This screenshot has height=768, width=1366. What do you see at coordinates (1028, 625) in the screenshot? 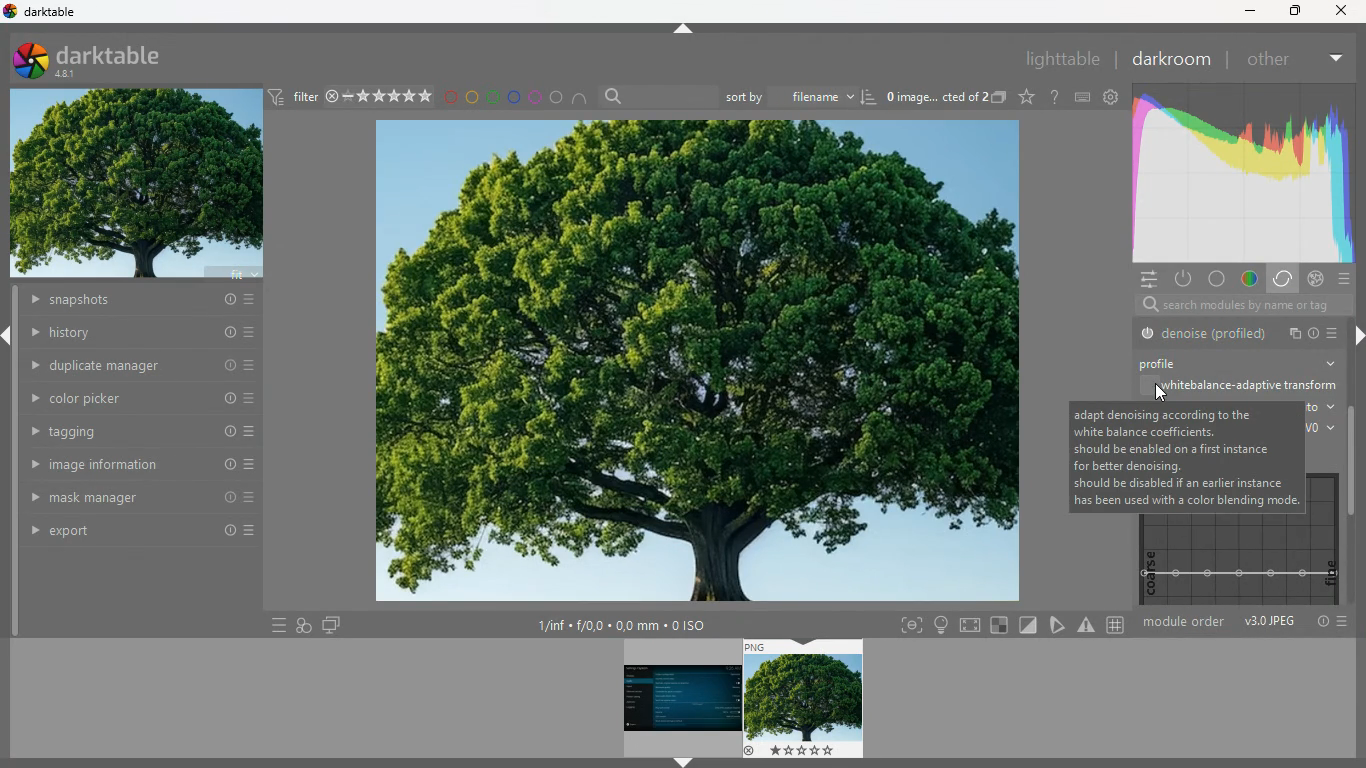
I see `diagnonal` at bounding box center [1028, 625].